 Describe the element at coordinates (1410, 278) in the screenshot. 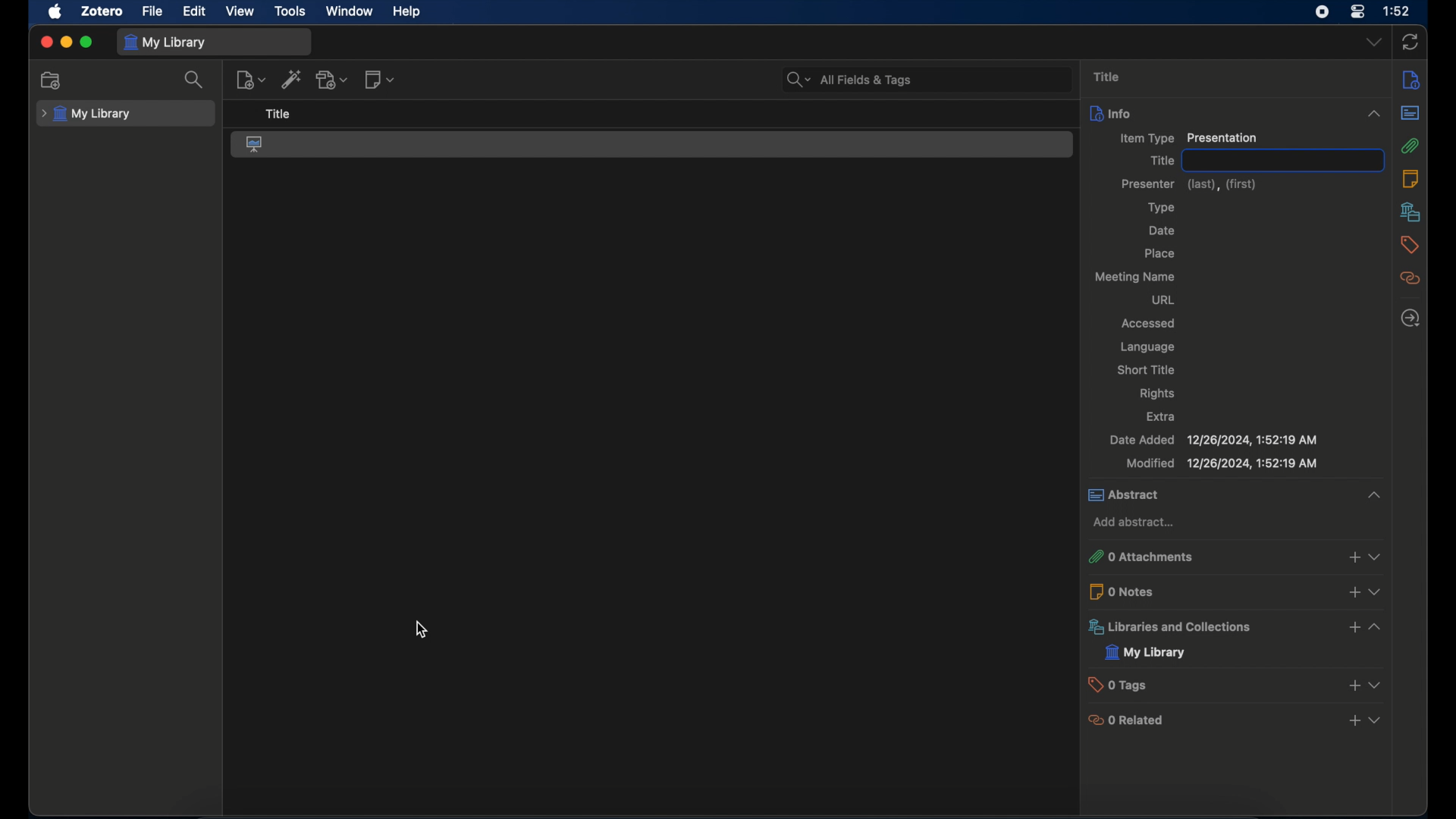

I see `related` at that location.